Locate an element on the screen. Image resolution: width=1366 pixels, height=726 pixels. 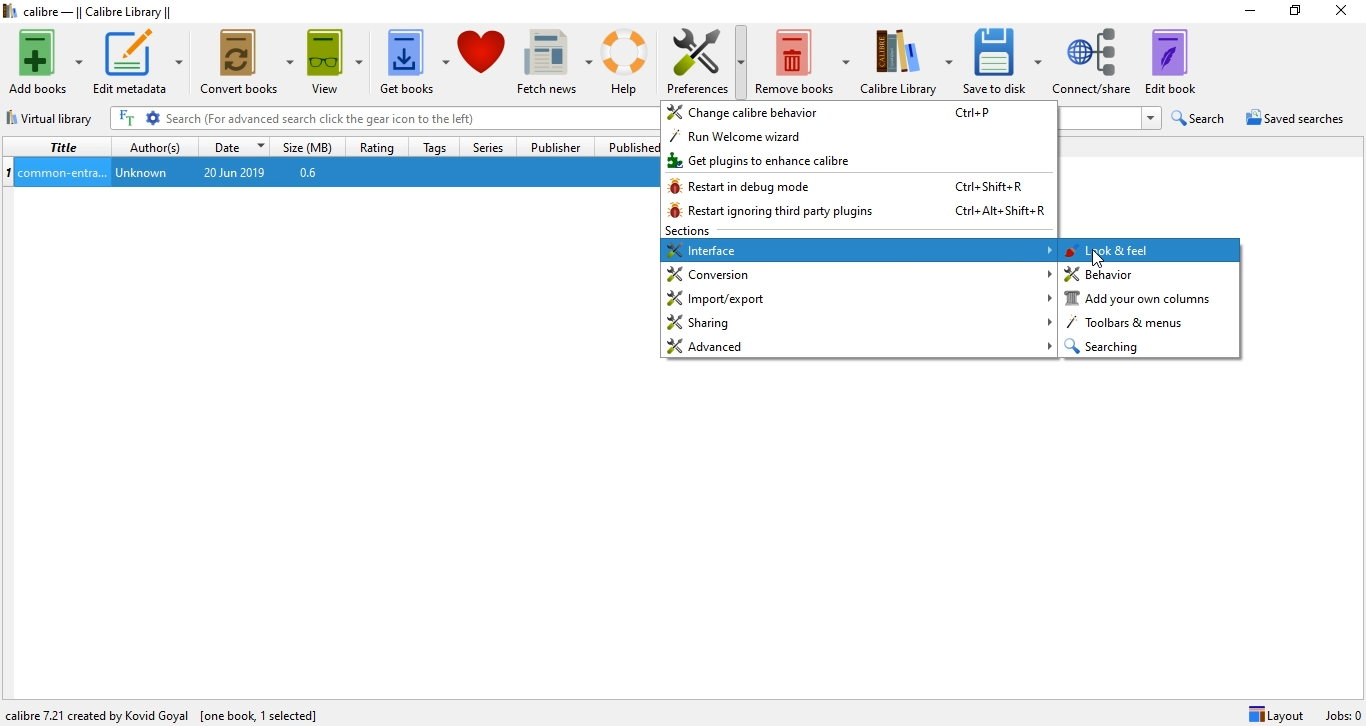
behavior is located at coordinates (1153, 275).